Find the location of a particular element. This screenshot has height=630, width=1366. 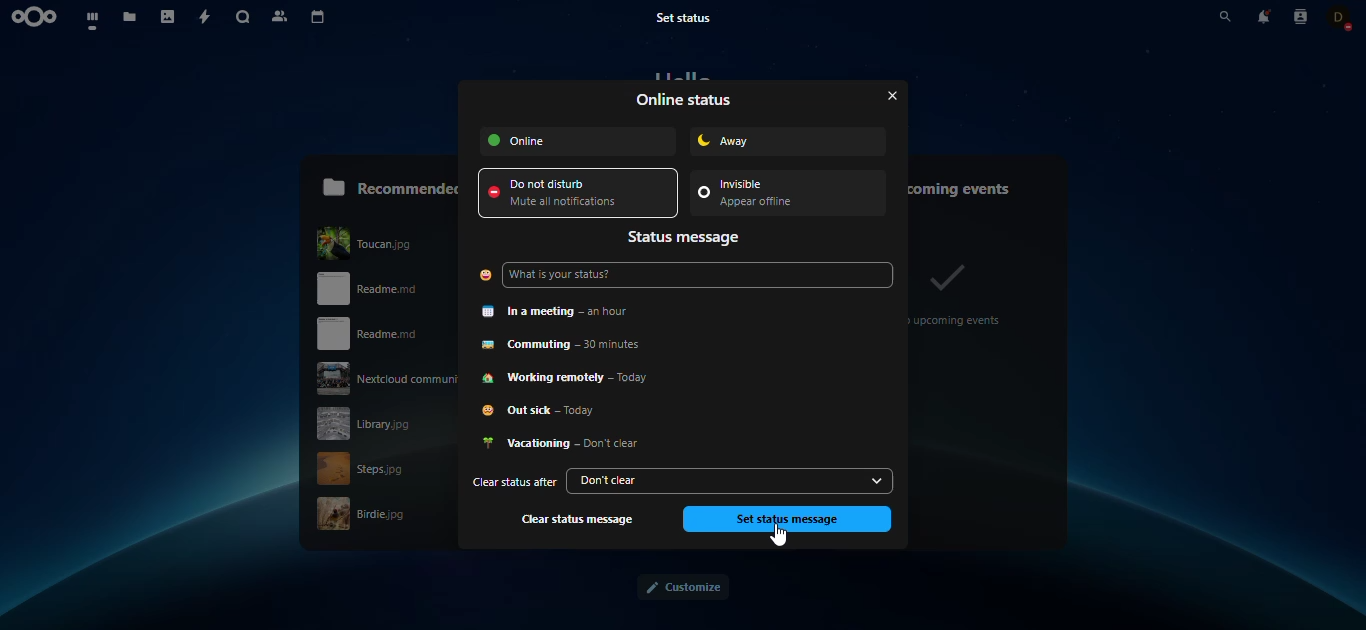

search is located at coordinates (1210, 17).